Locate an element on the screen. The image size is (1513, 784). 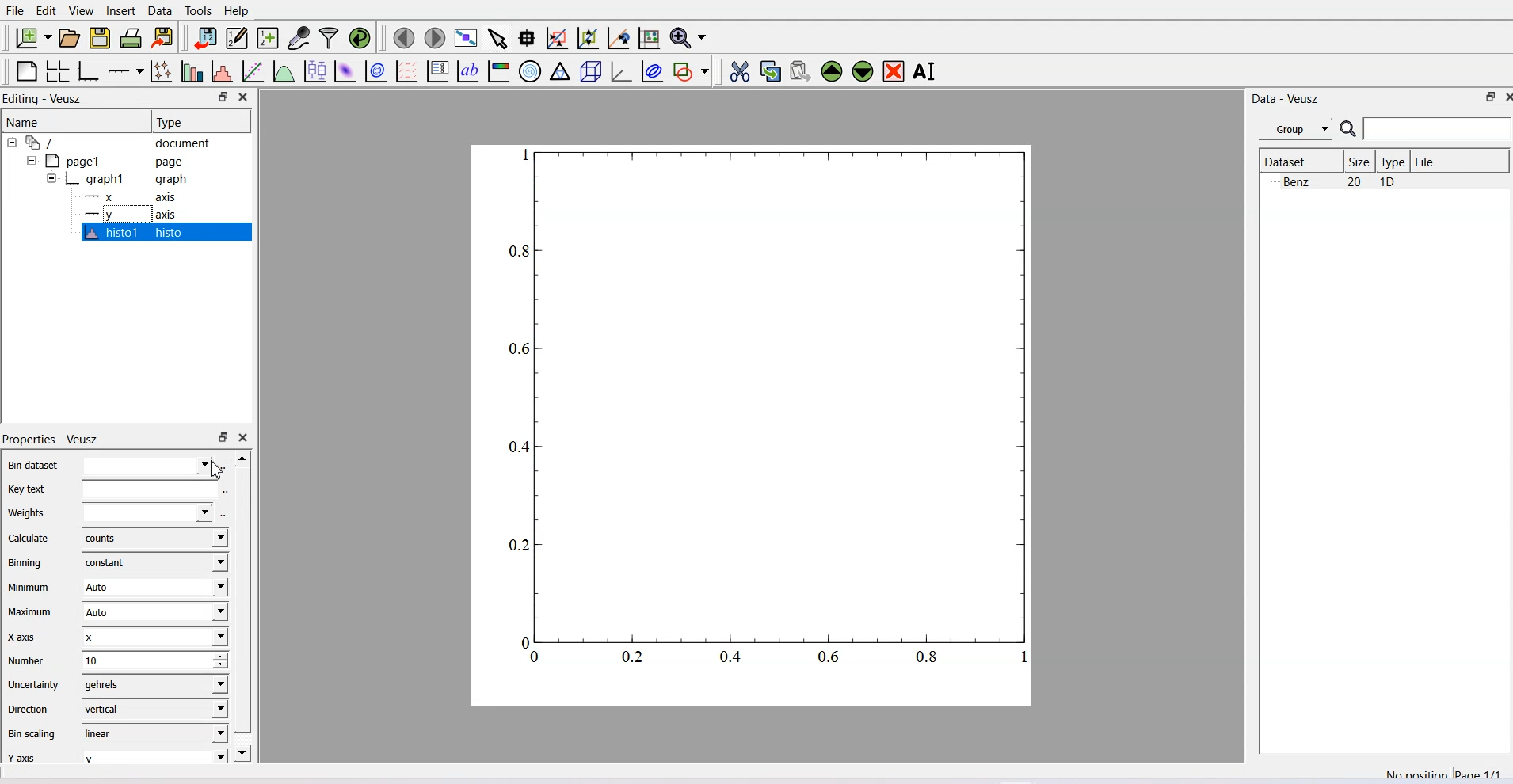
Number - 10 is located at coordinates (115, 659).